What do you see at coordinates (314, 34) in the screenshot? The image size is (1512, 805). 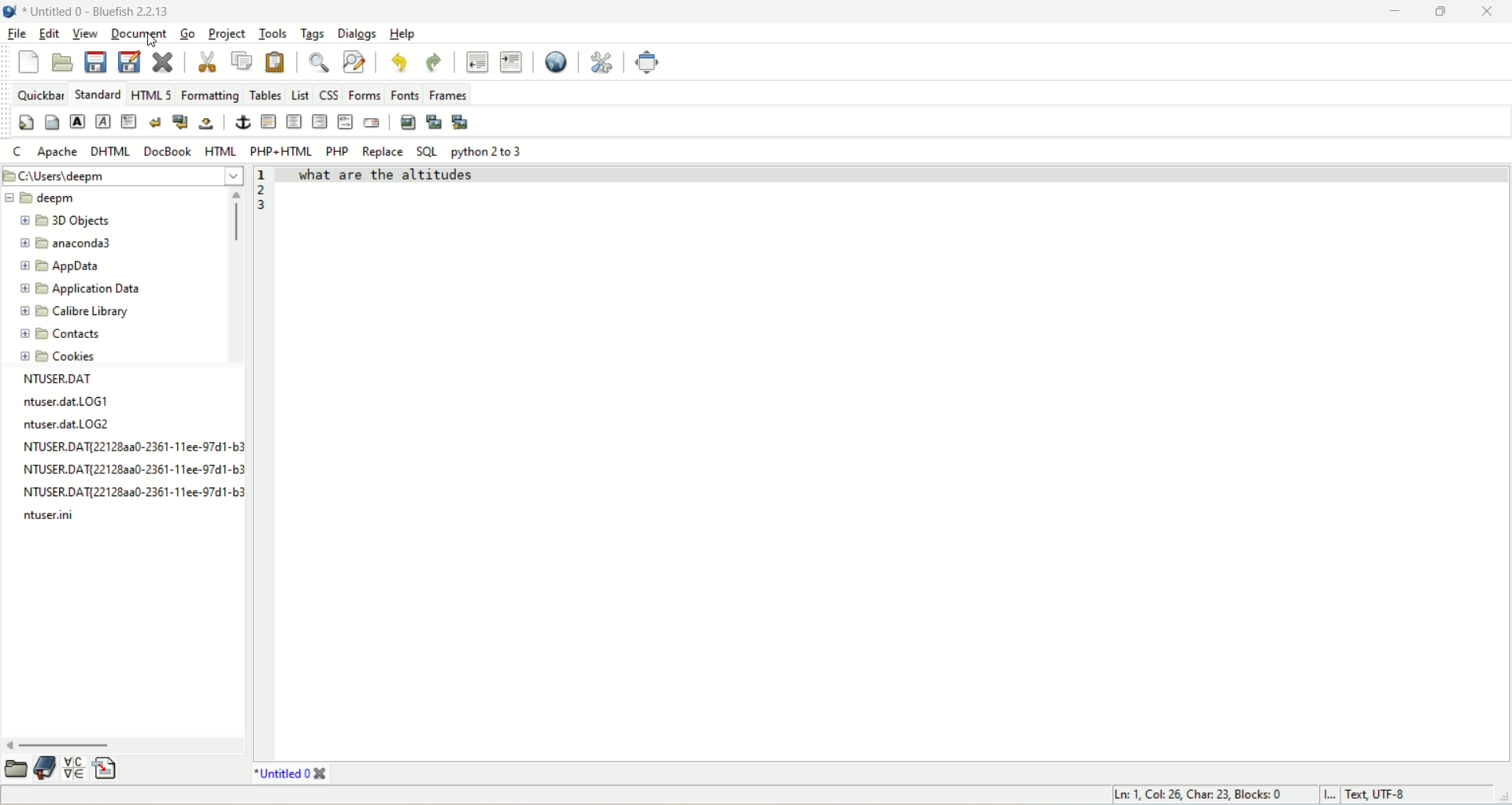 I see `tags` at bounding box center [314, 34].